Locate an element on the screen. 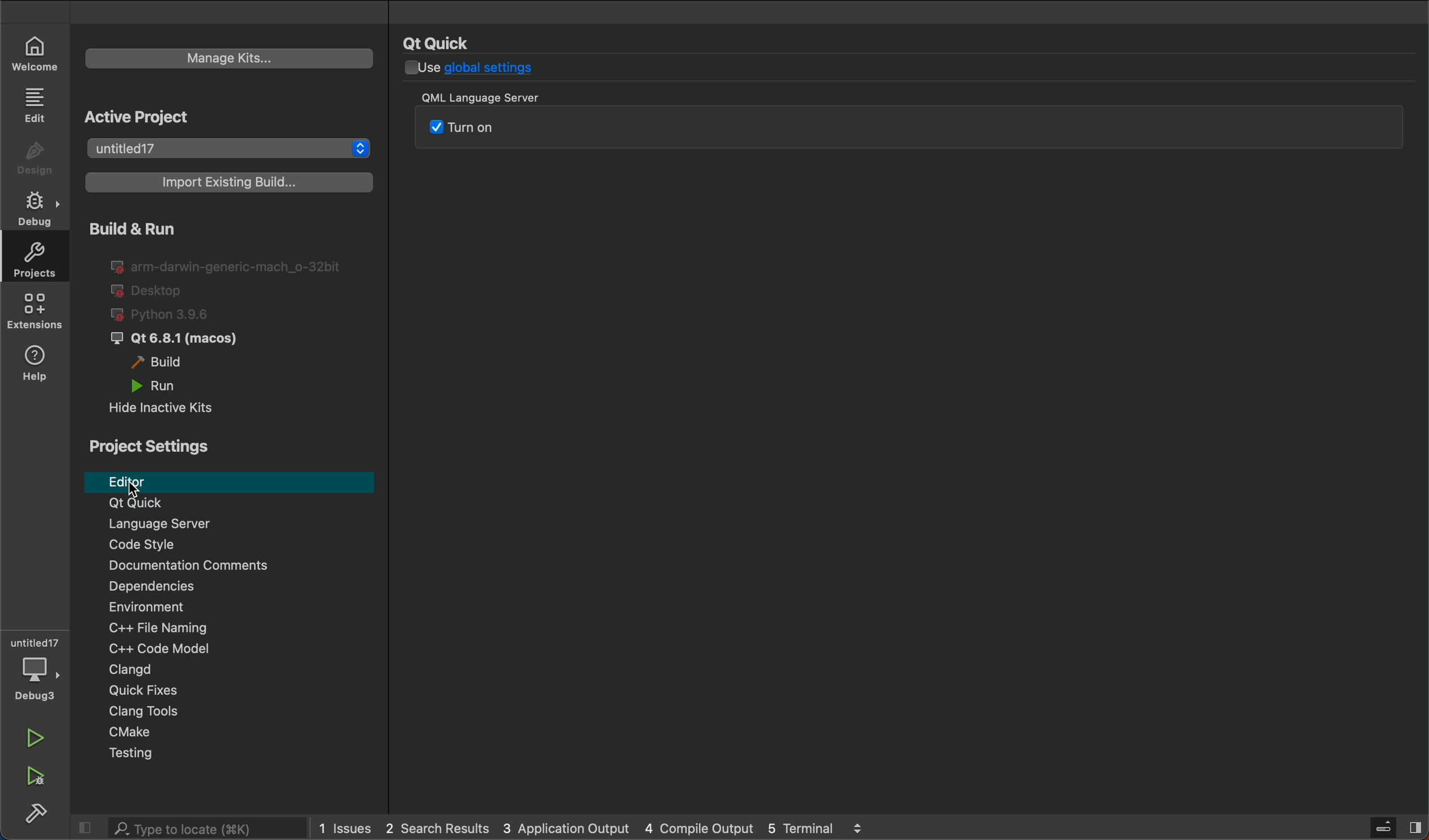 This screenshot has width=1429, height=840. debuger is located at coordinates (35, 673).